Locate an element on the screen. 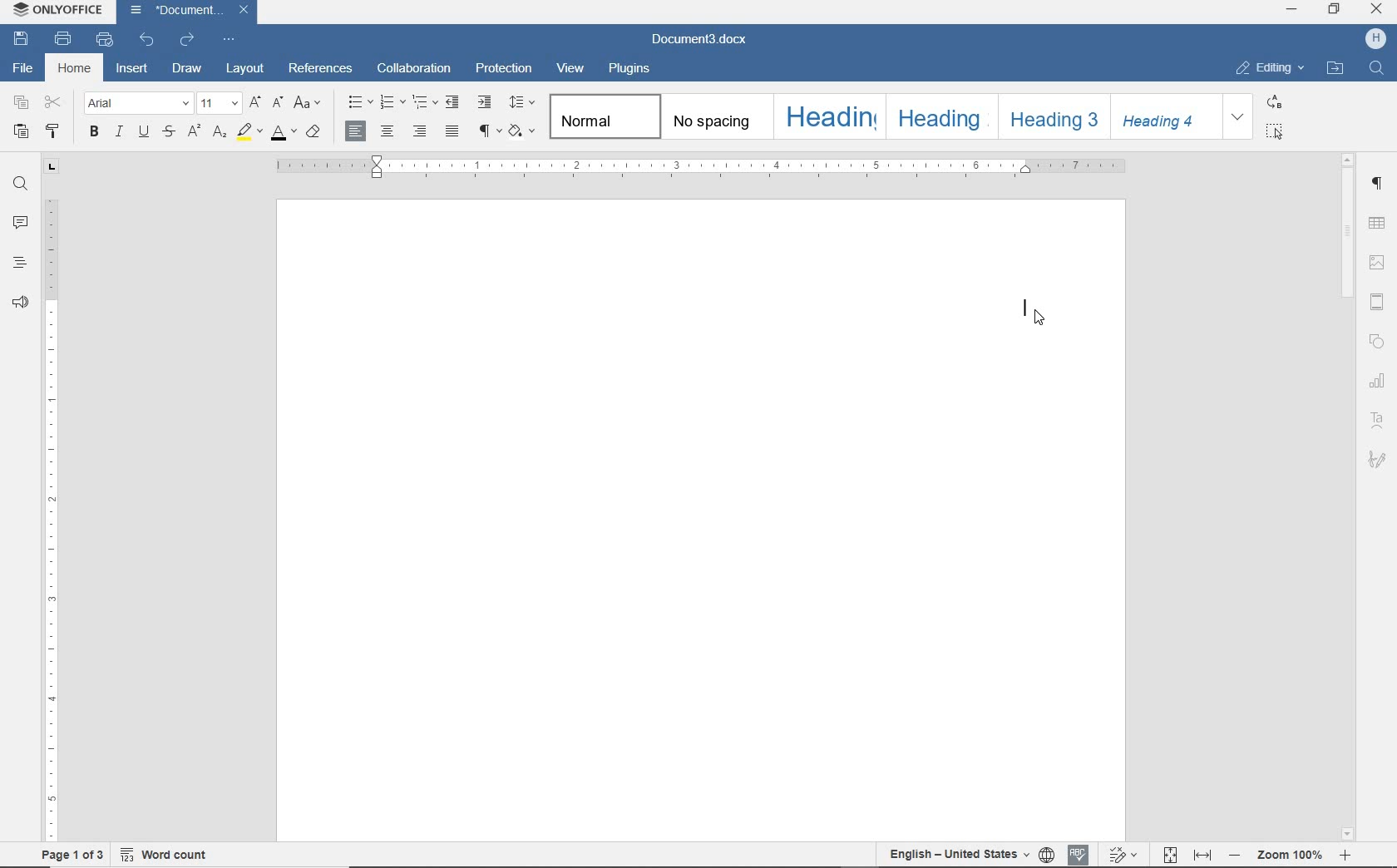  TEXT LANGUAGE is located at coordinates (958, 855).